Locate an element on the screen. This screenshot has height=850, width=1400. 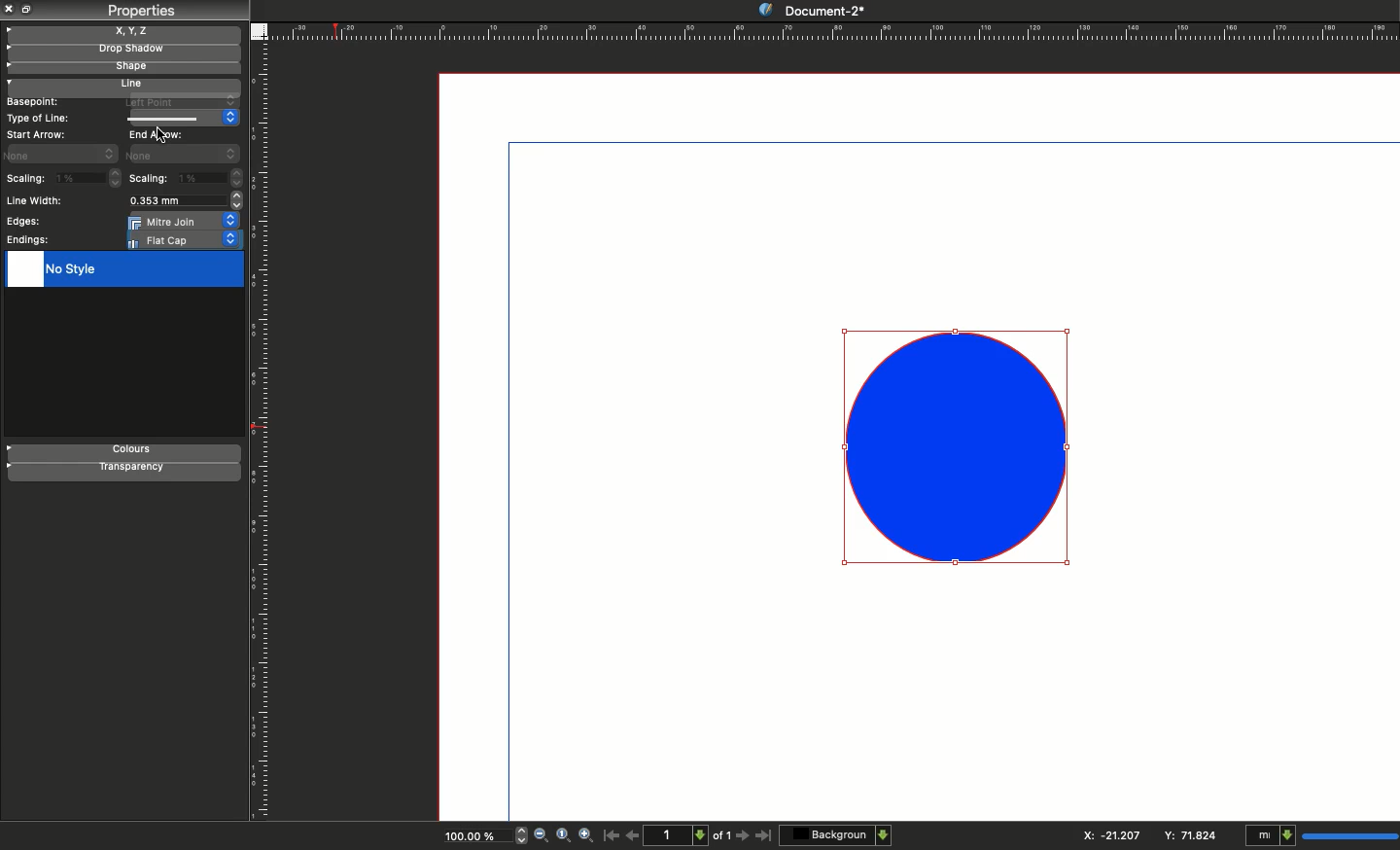
Properties is located at coordinates (140, 11).